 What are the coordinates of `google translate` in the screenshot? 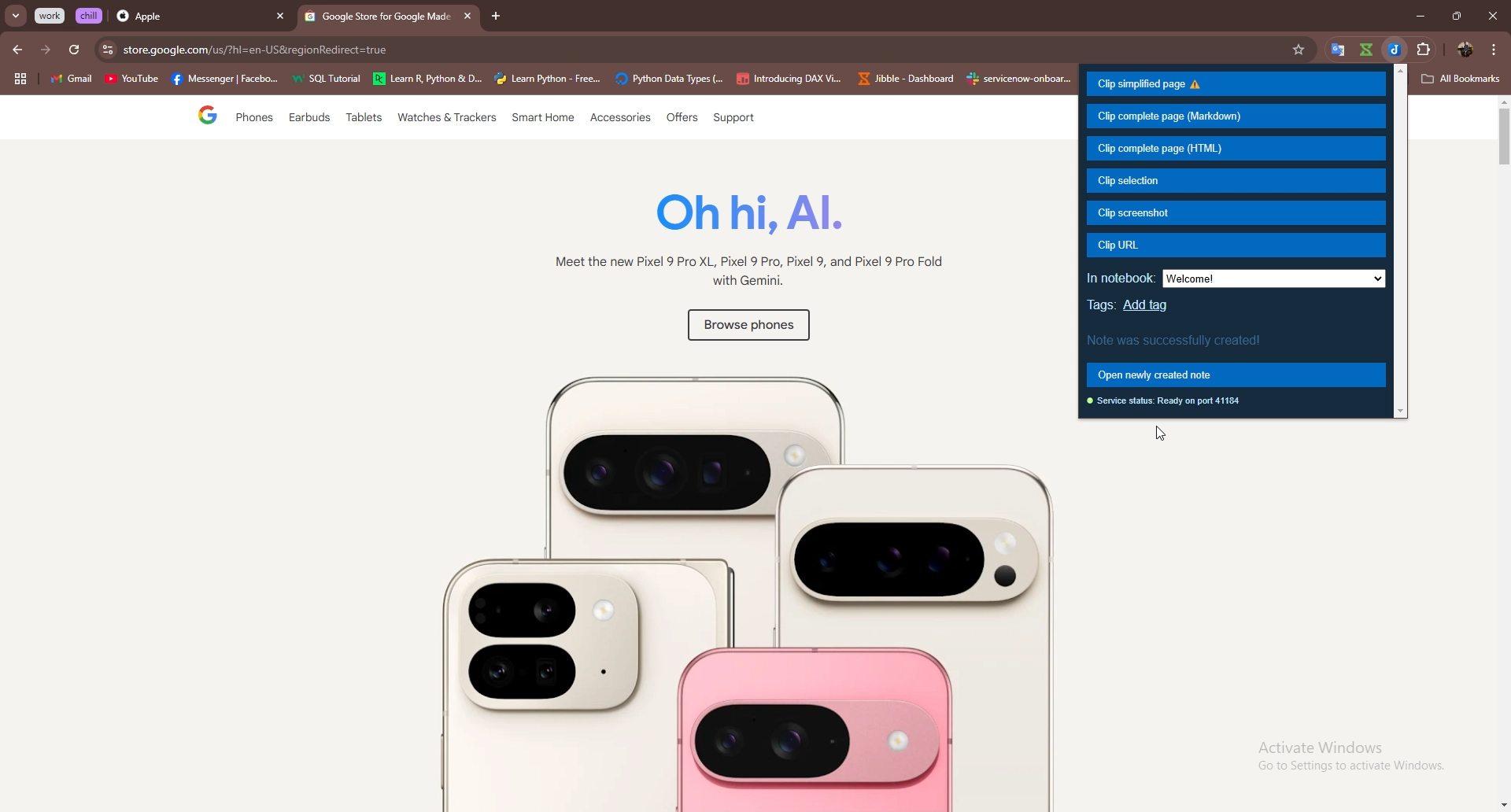 It's located at (1335, 50).